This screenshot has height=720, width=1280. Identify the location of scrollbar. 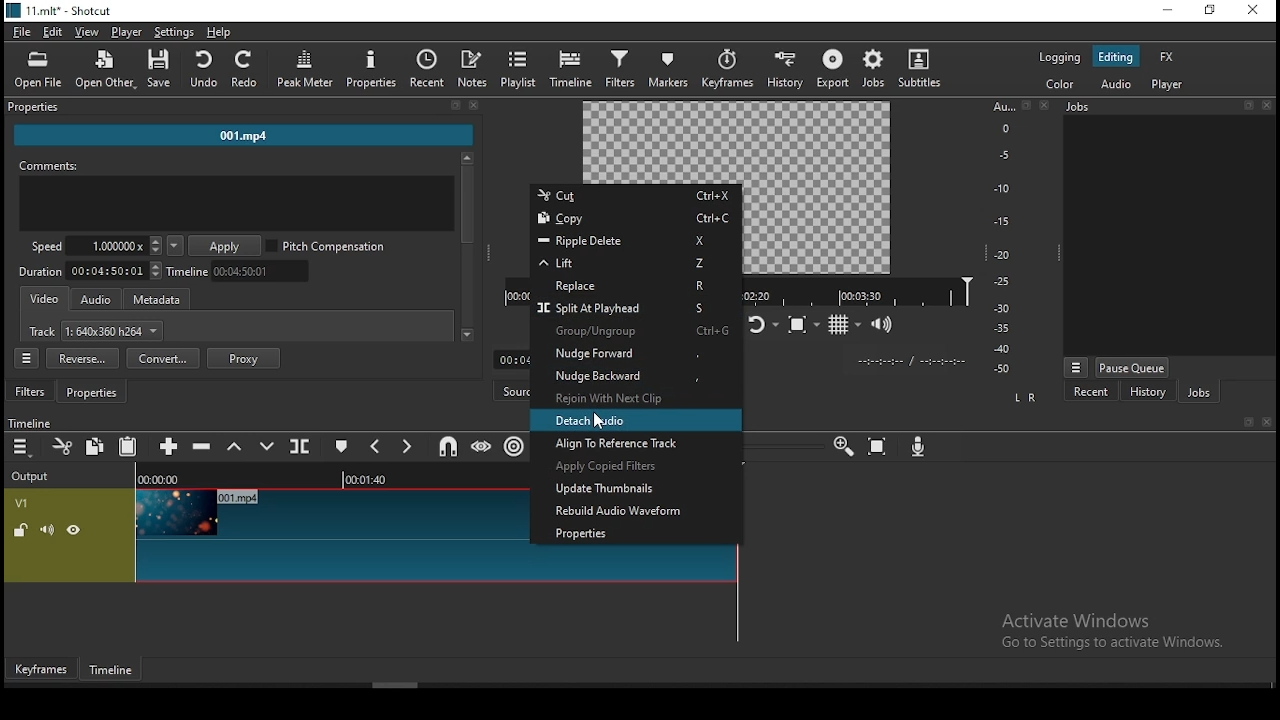
(467, 247).